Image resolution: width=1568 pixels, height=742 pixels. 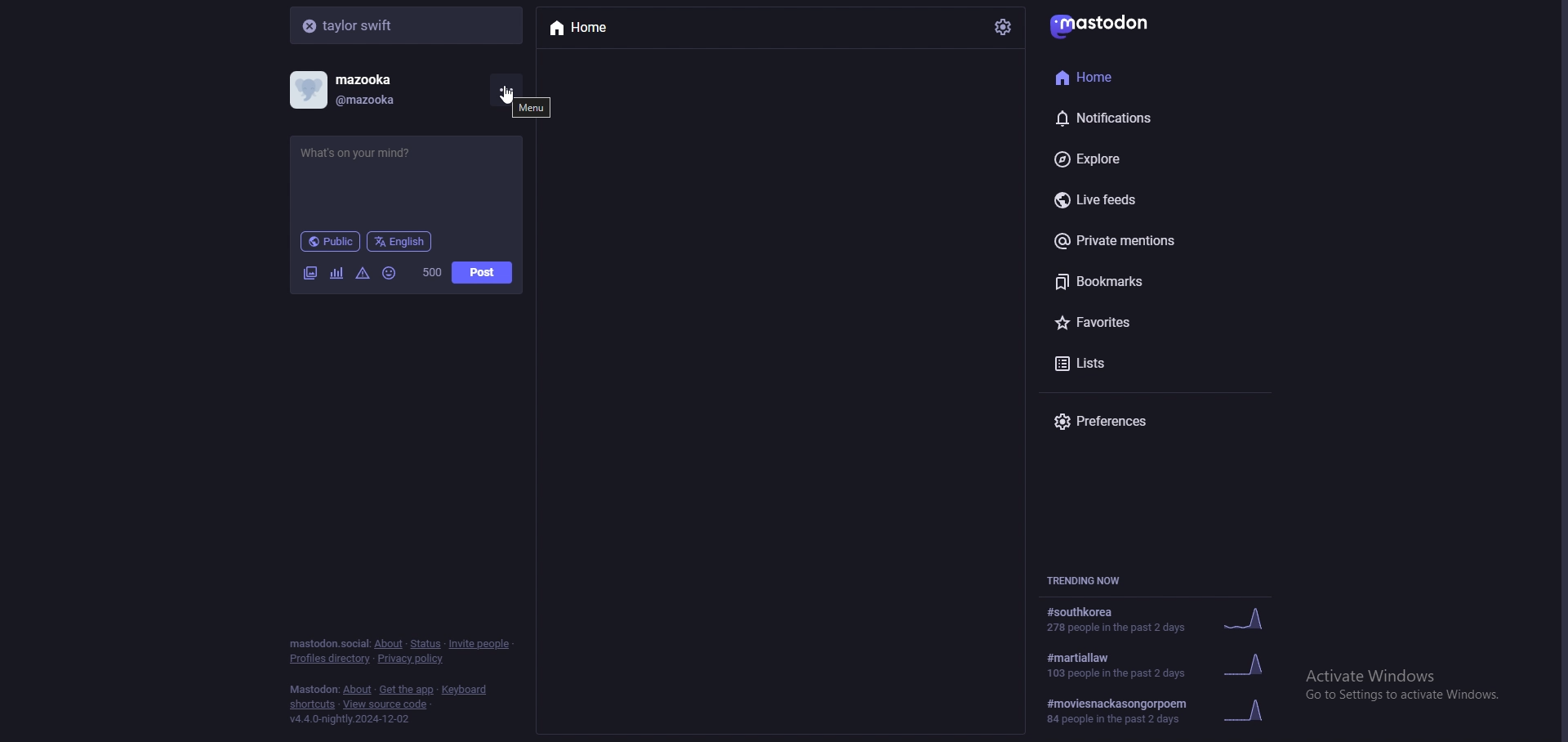 What do you see at coordinates (1106, 25) in the screenshot?
I see `mastodon` at bounding box center [1106, 25].